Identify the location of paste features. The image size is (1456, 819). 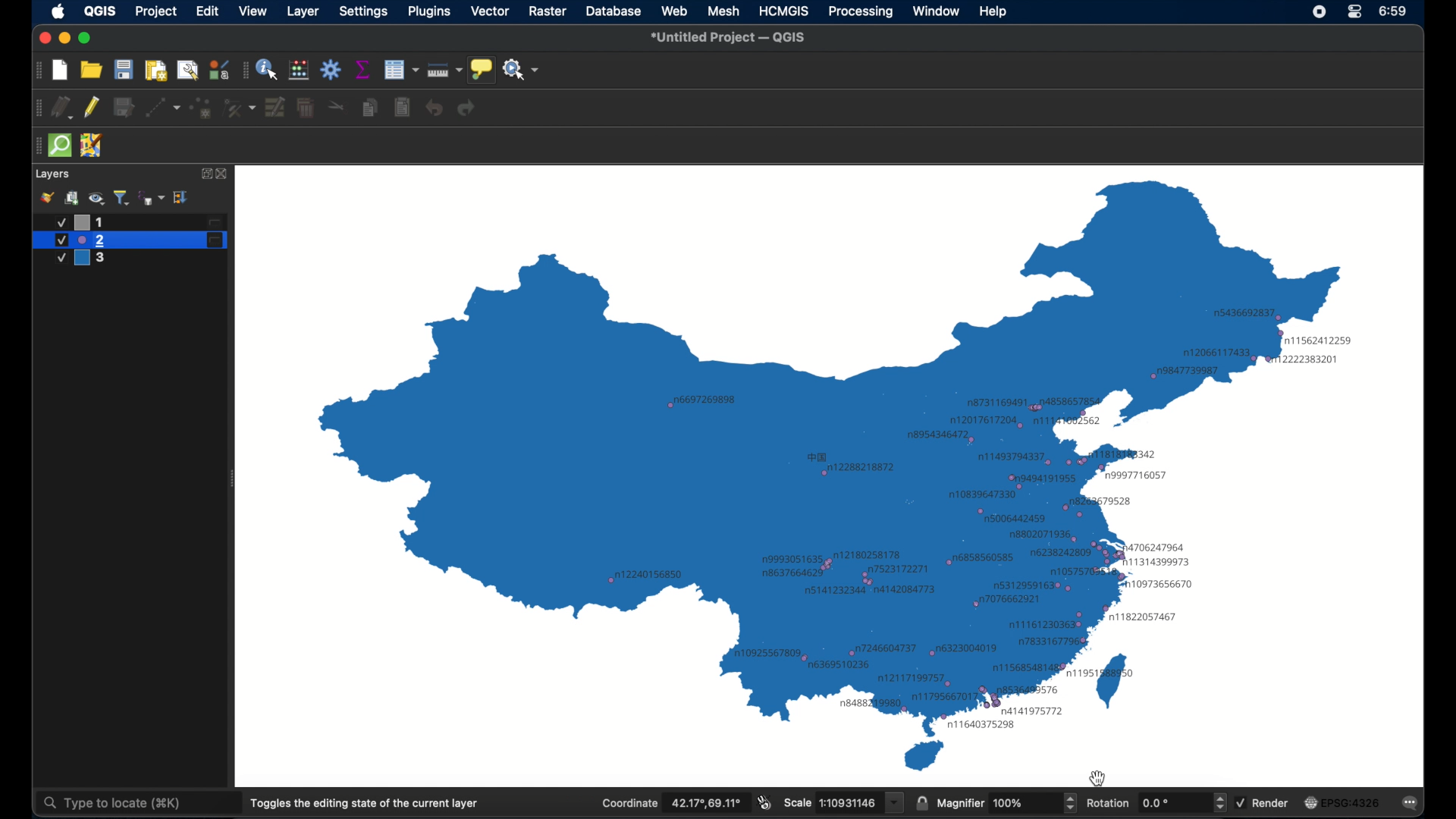
(403, 108).